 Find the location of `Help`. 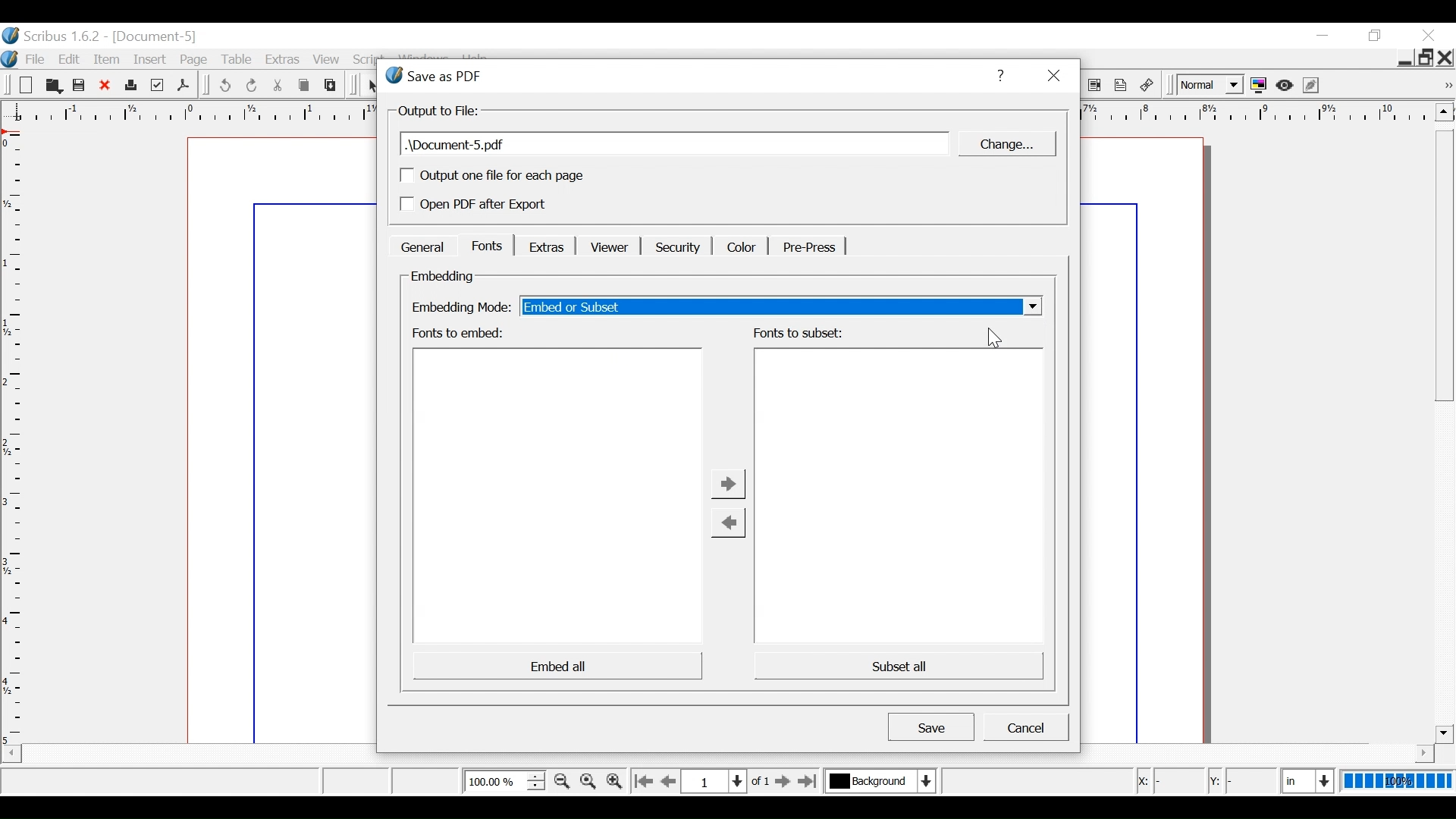

Help is located at coordinates (999, 75).